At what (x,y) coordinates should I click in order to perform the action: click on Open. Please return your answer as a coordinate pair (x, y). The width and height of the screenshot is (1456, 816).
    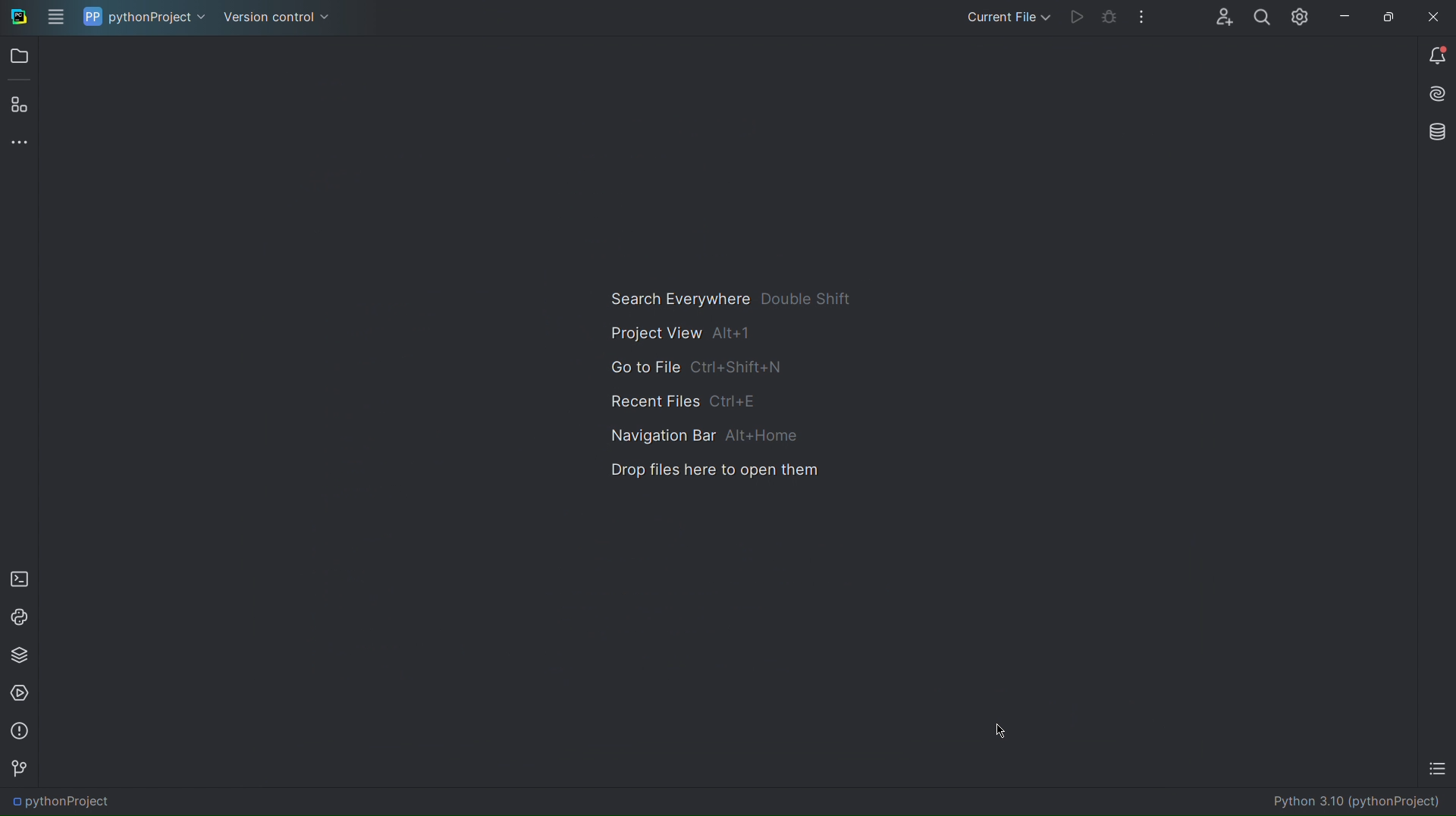
    Looking at the image, I should click on (21, 58).